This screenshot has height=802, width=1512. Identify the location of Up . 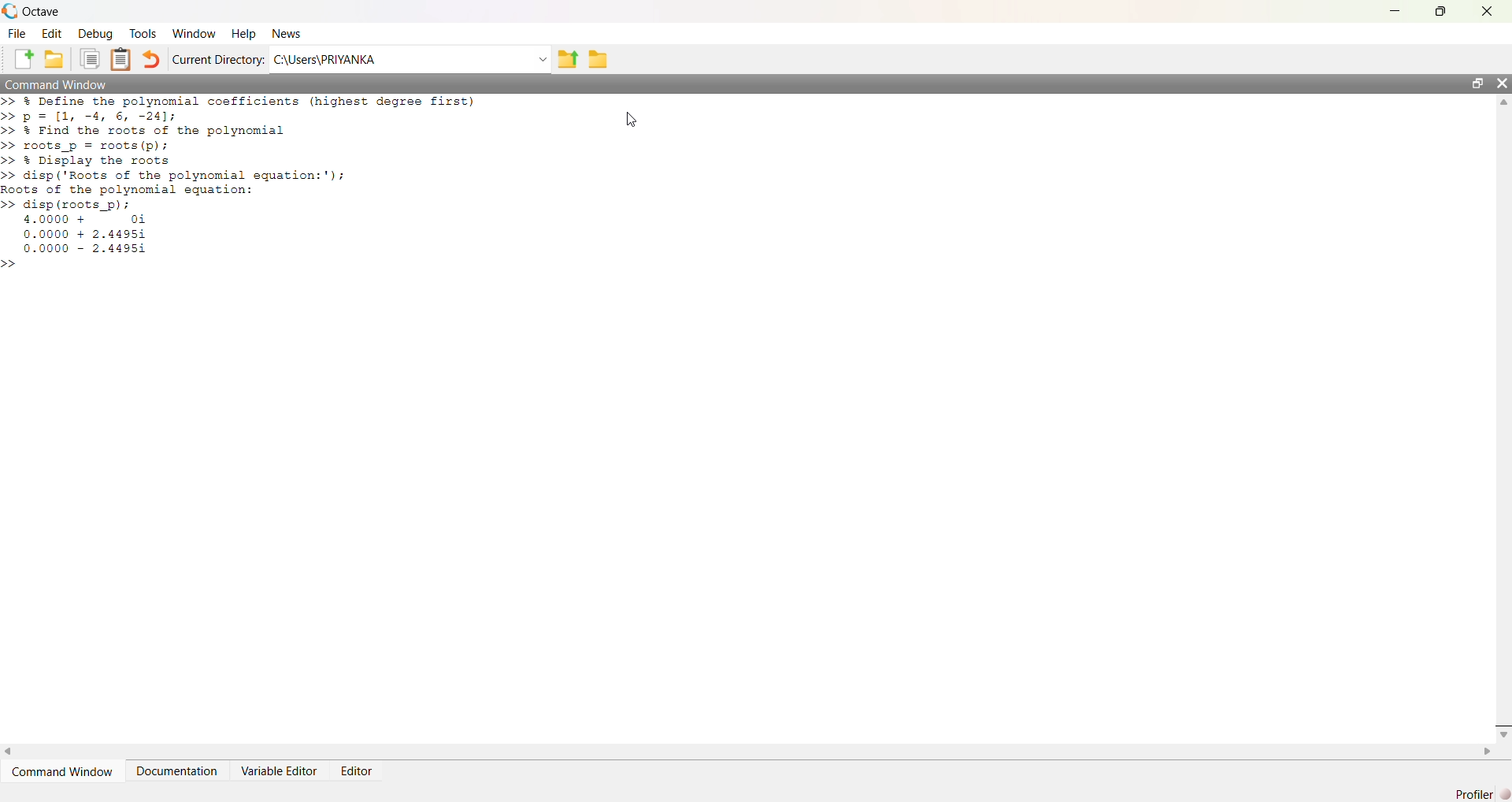
(1503, 105).